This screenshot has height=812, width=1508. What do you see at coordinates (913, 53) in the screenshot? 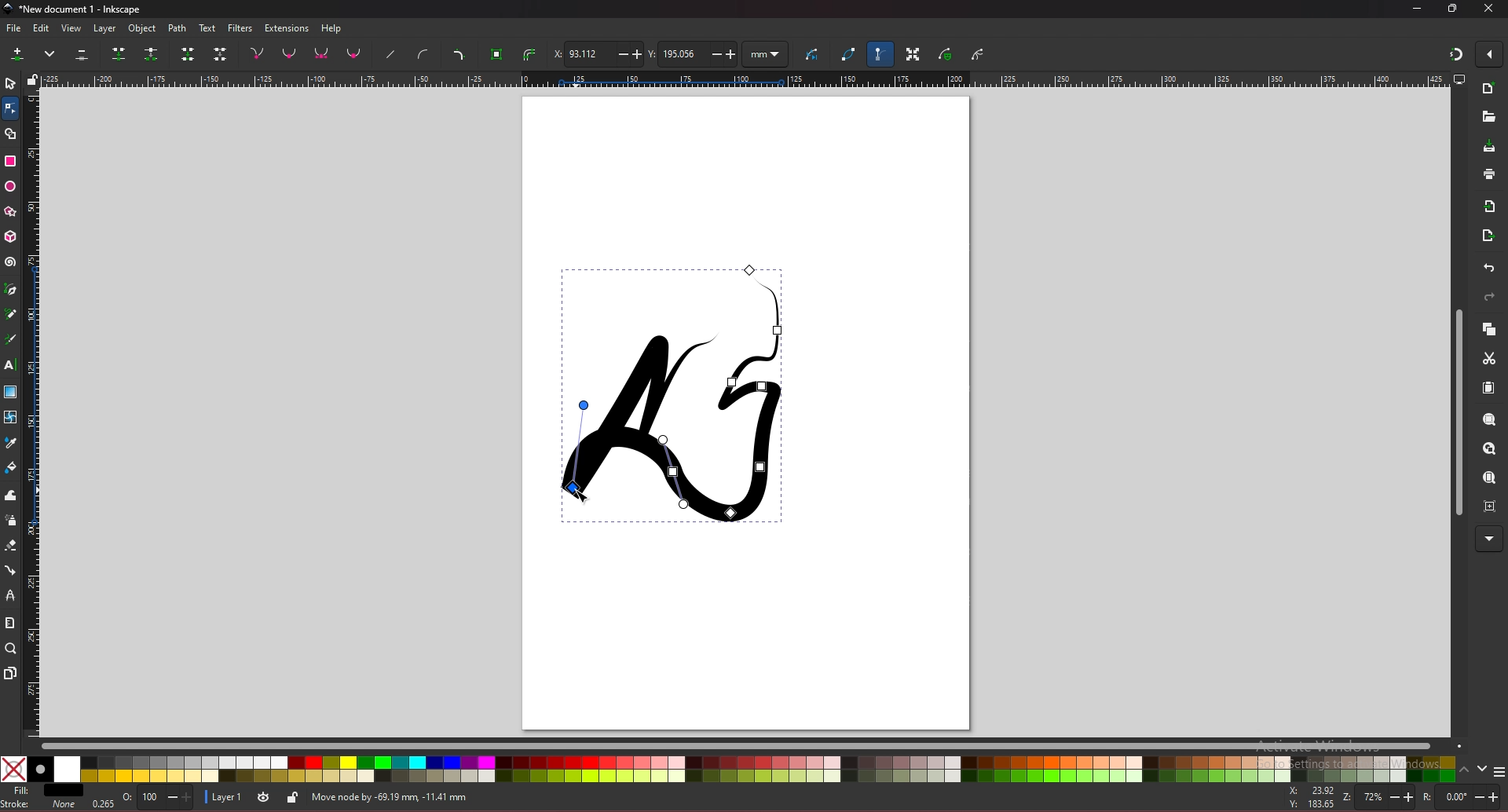
I see `transformation handle` at bounding box center [913, 53].